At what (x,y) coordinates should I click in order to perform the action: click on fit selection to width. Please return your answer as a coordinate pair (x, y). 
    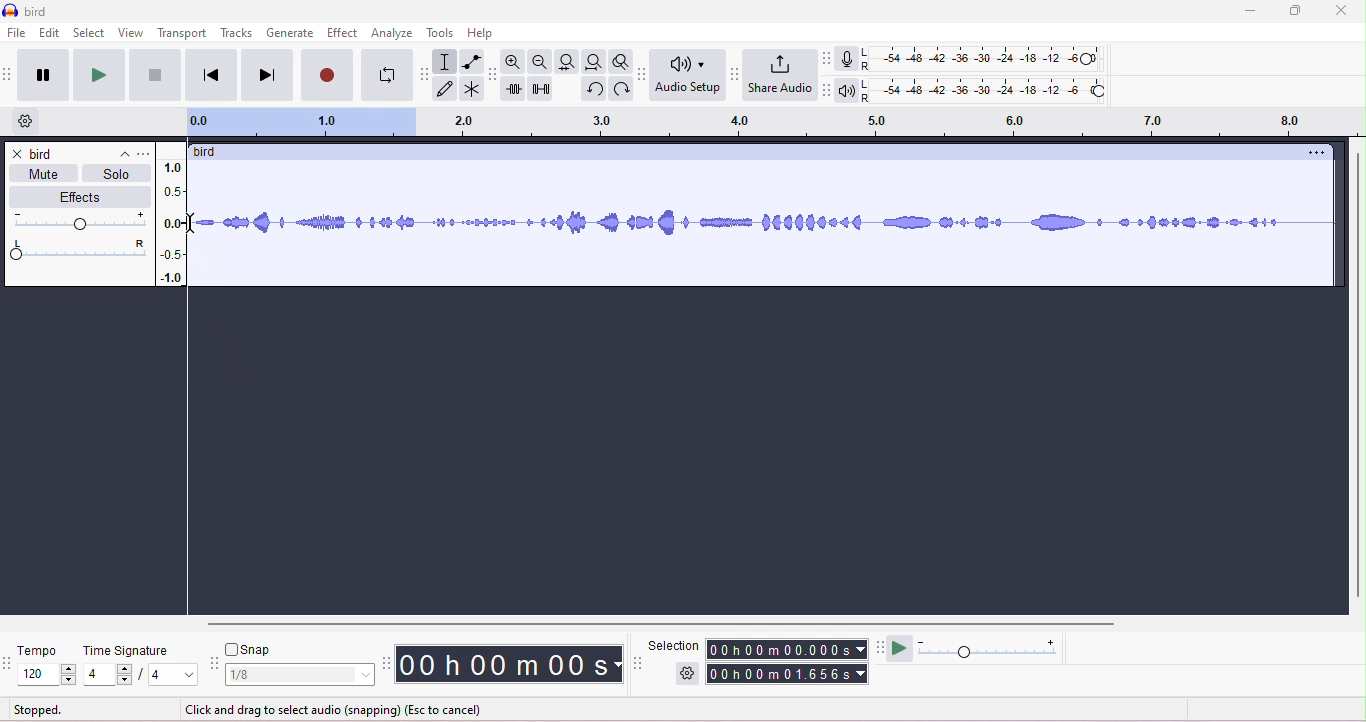
    Looking at the image, I should click on (567, 62).